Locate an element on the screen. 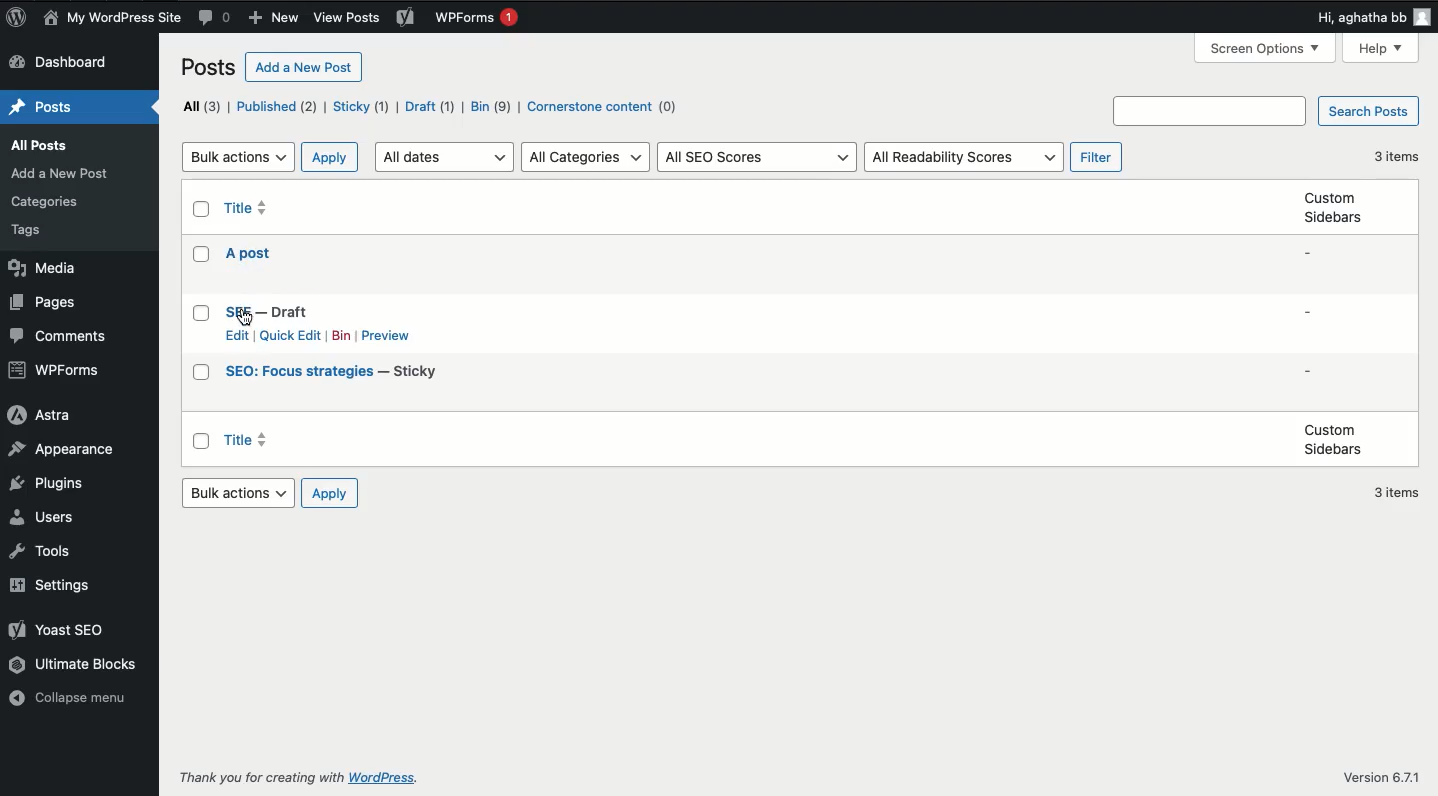 This screenshot has width=1438, height=796. SEE is located at coordinates (287, 307).